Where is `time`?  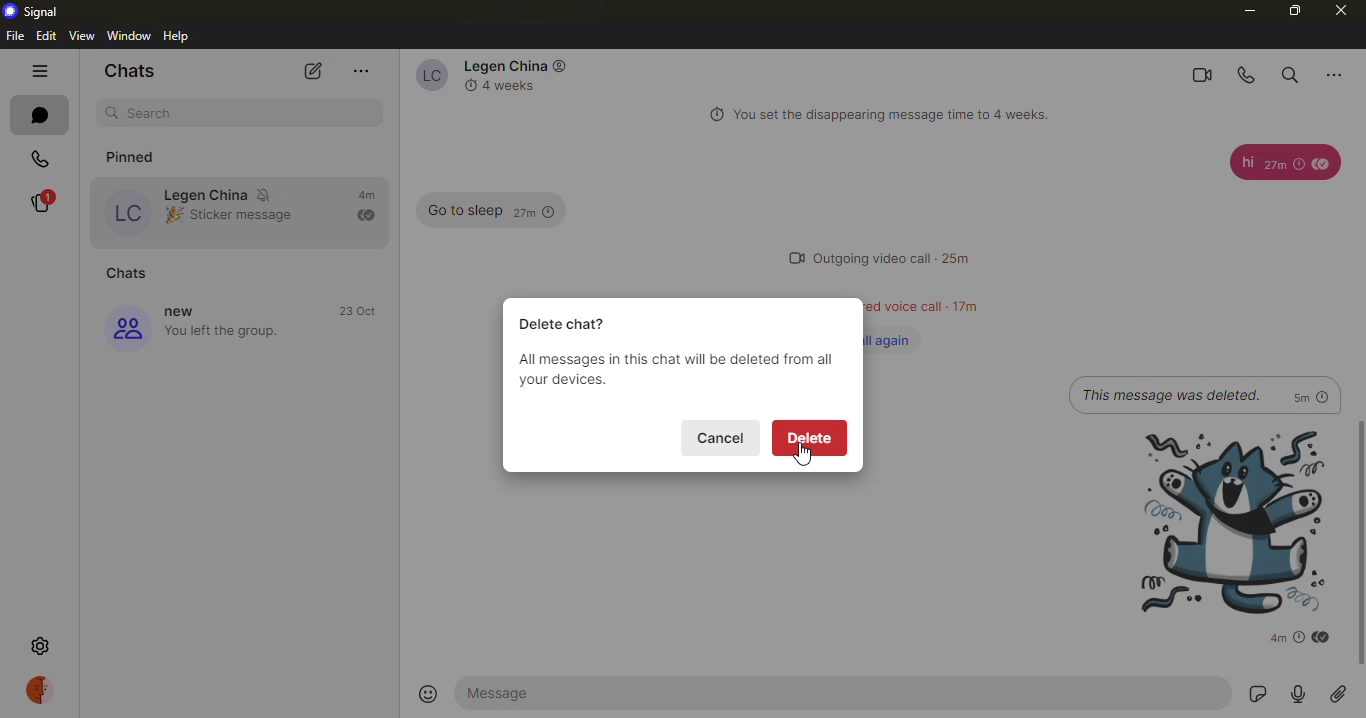 time is located at coordinates (1311, 395).